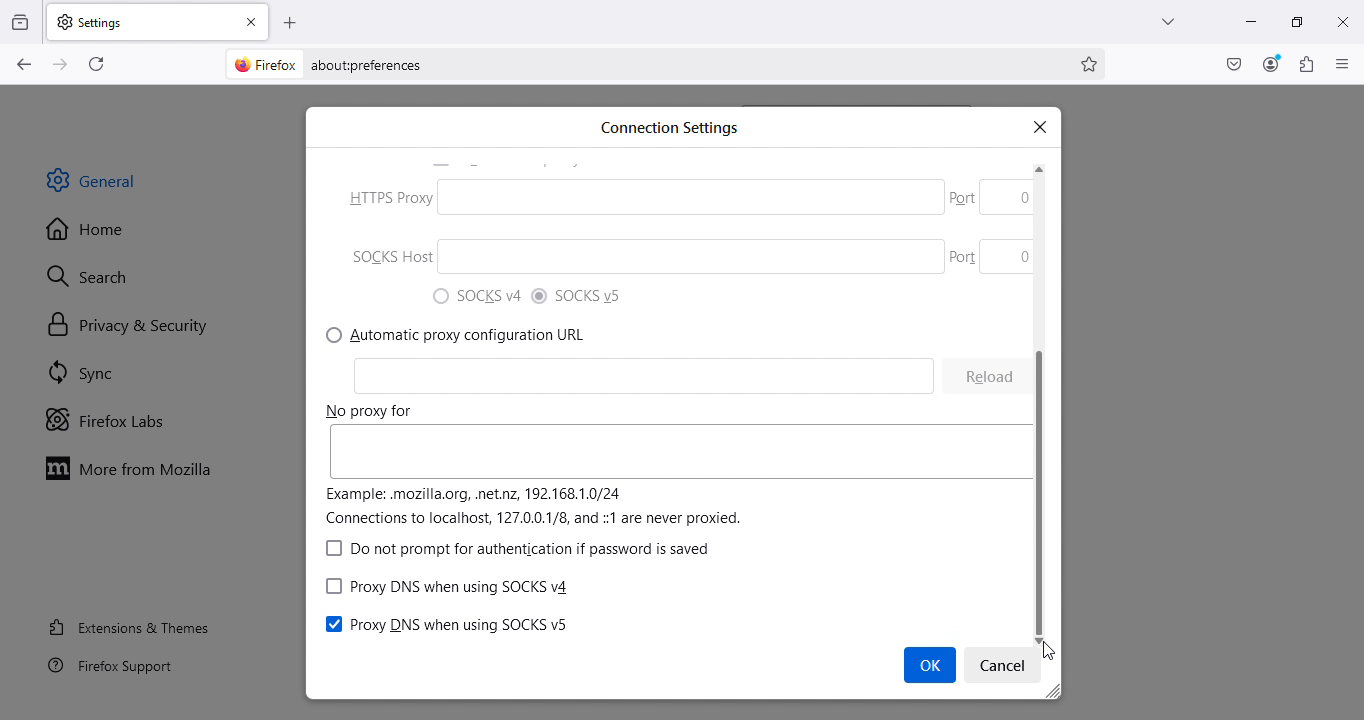 The width and height of the screenshot is (1364, 720). I want to click on ") SOCKS v4, so click(520, 549).